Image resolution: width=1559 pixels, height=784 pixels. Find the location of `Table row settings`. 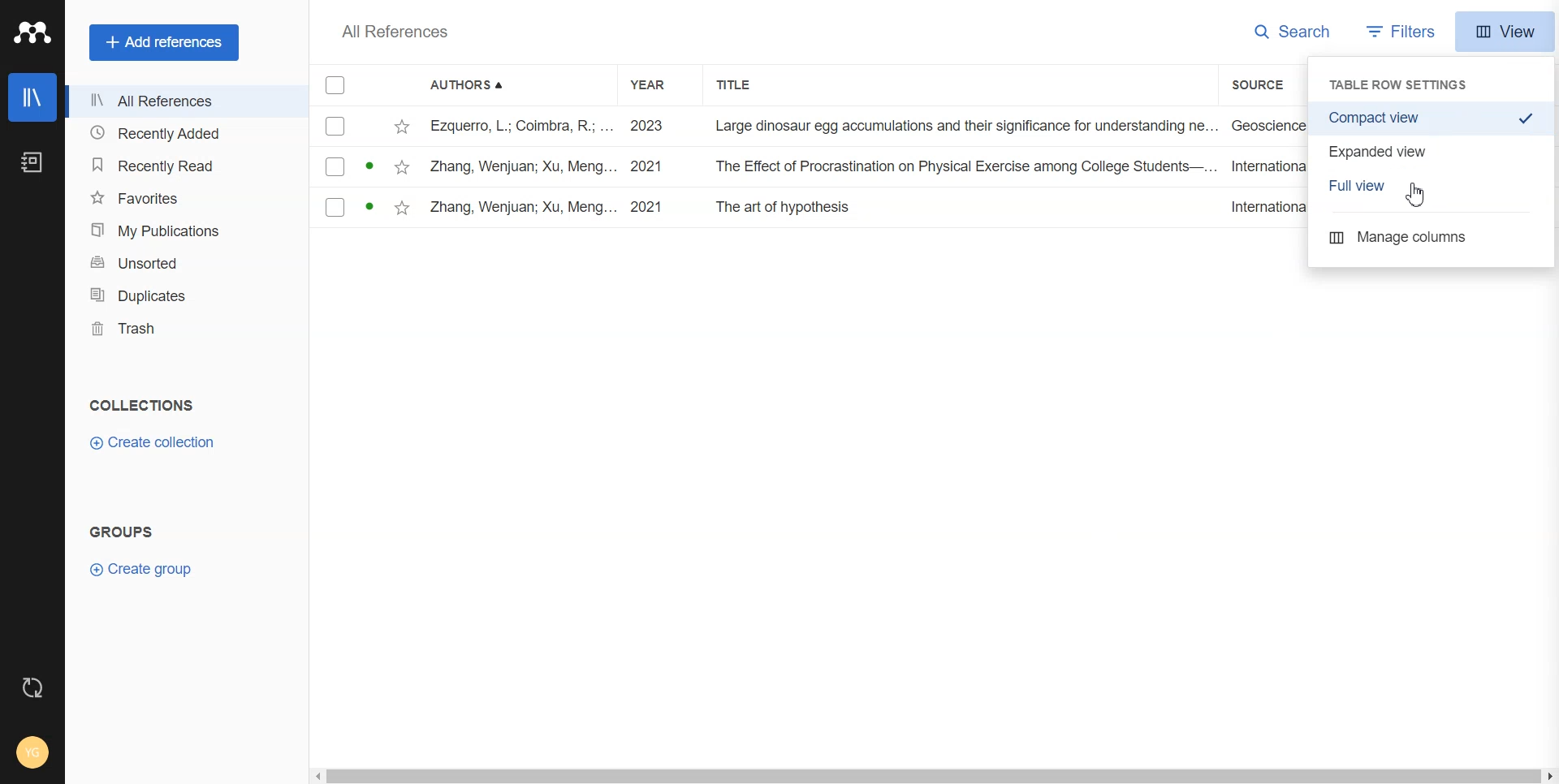

Table row settings is located at coordinates (1406, 84).